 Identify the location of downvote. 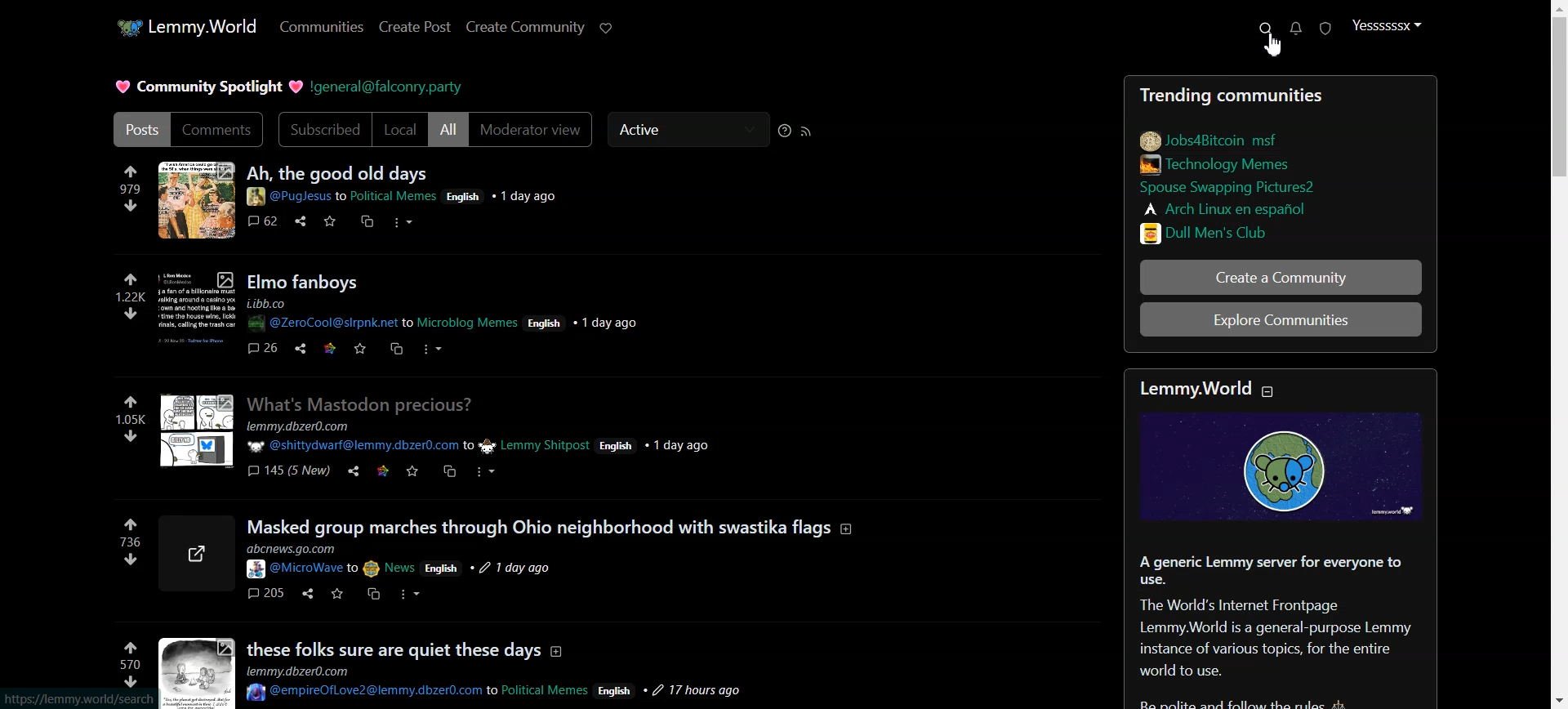
(130, 204).